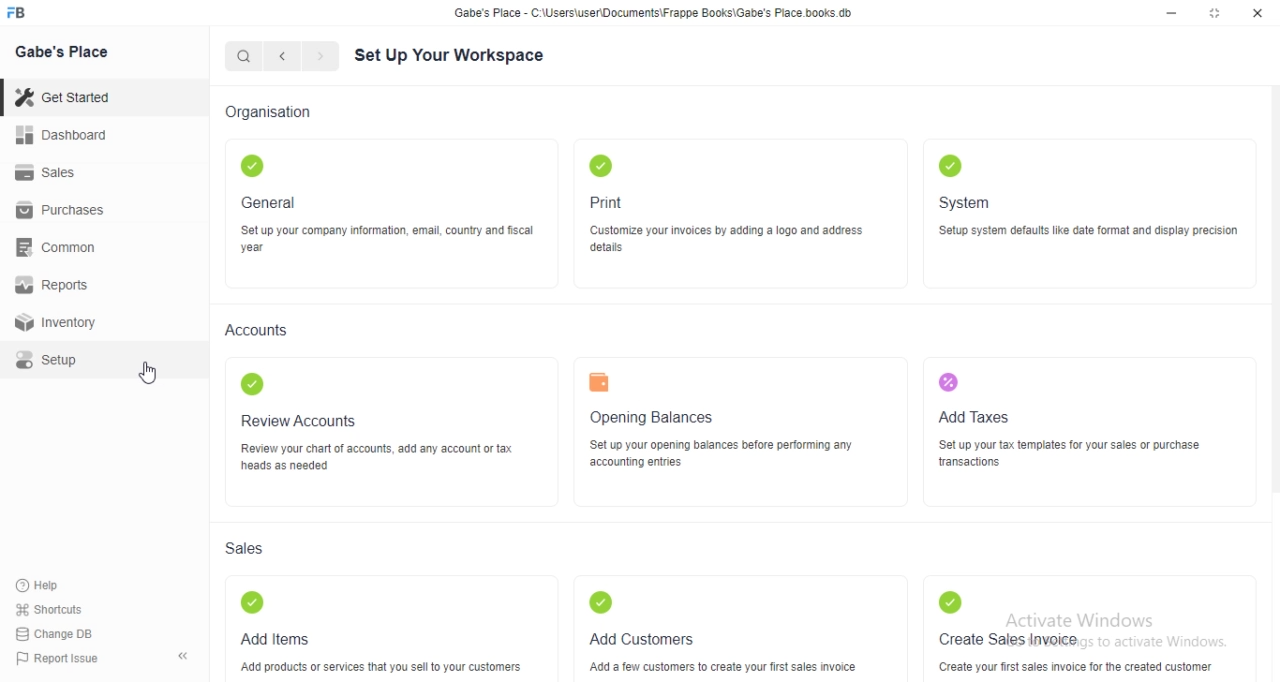  What do you see at coordinates (1216, 15) in the screenshot?
I see `restore down` at bounding box center [1216, 15].